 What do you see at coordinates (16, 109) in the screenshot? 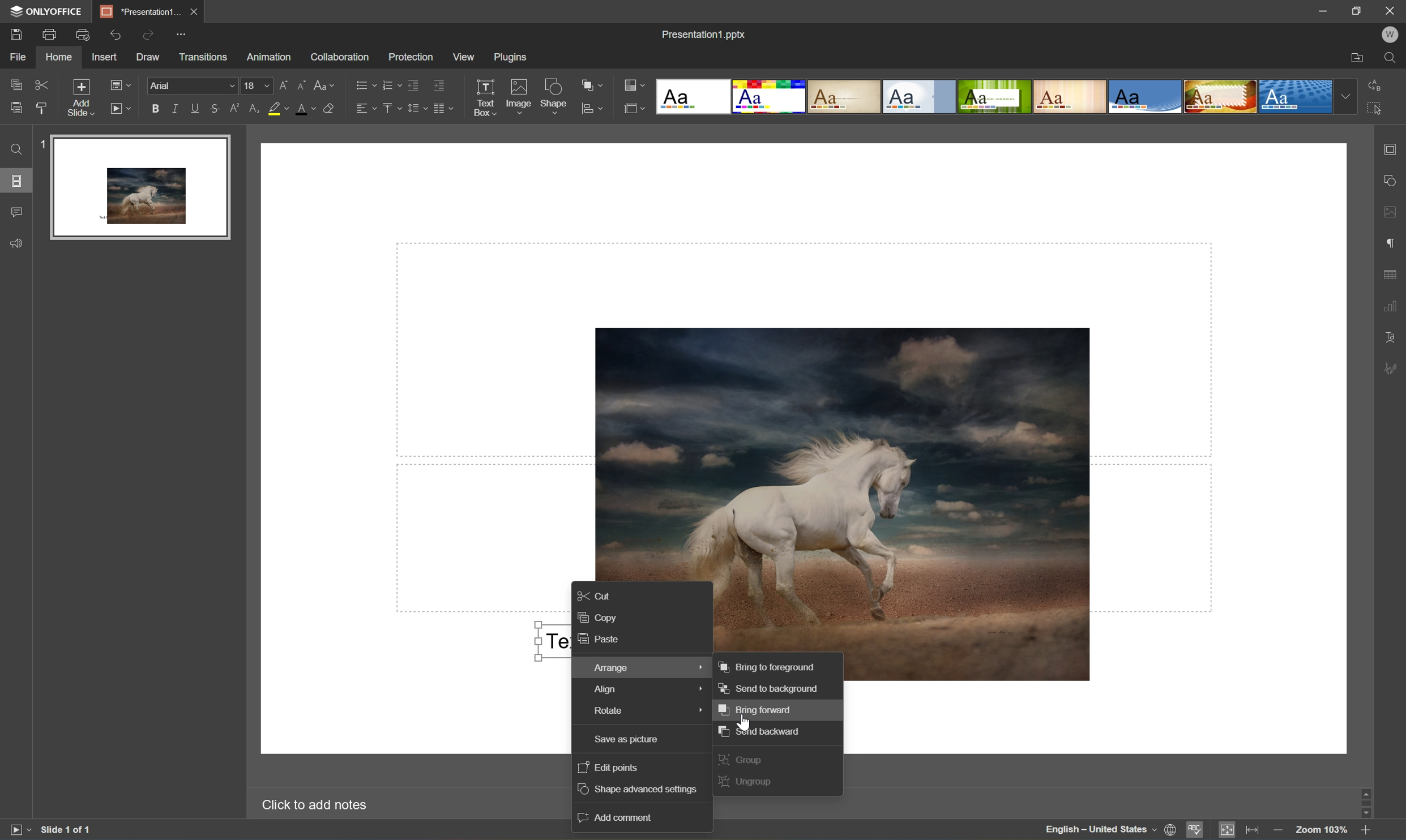
I see `Paste` at bounding box center [16, 109].